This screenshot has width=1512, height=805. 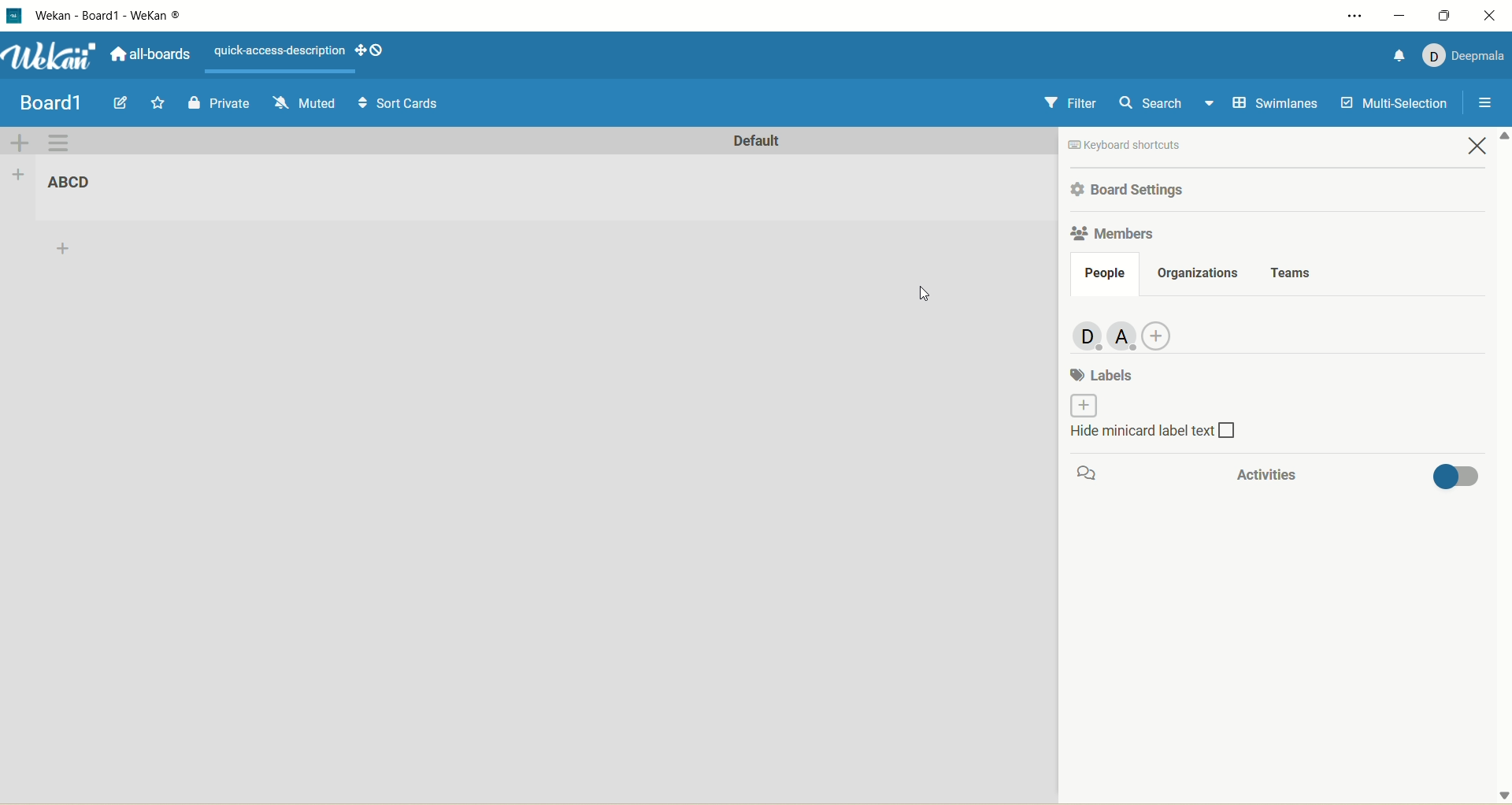 I want to click on close/open sidebar, so click(x=1483, y=106).